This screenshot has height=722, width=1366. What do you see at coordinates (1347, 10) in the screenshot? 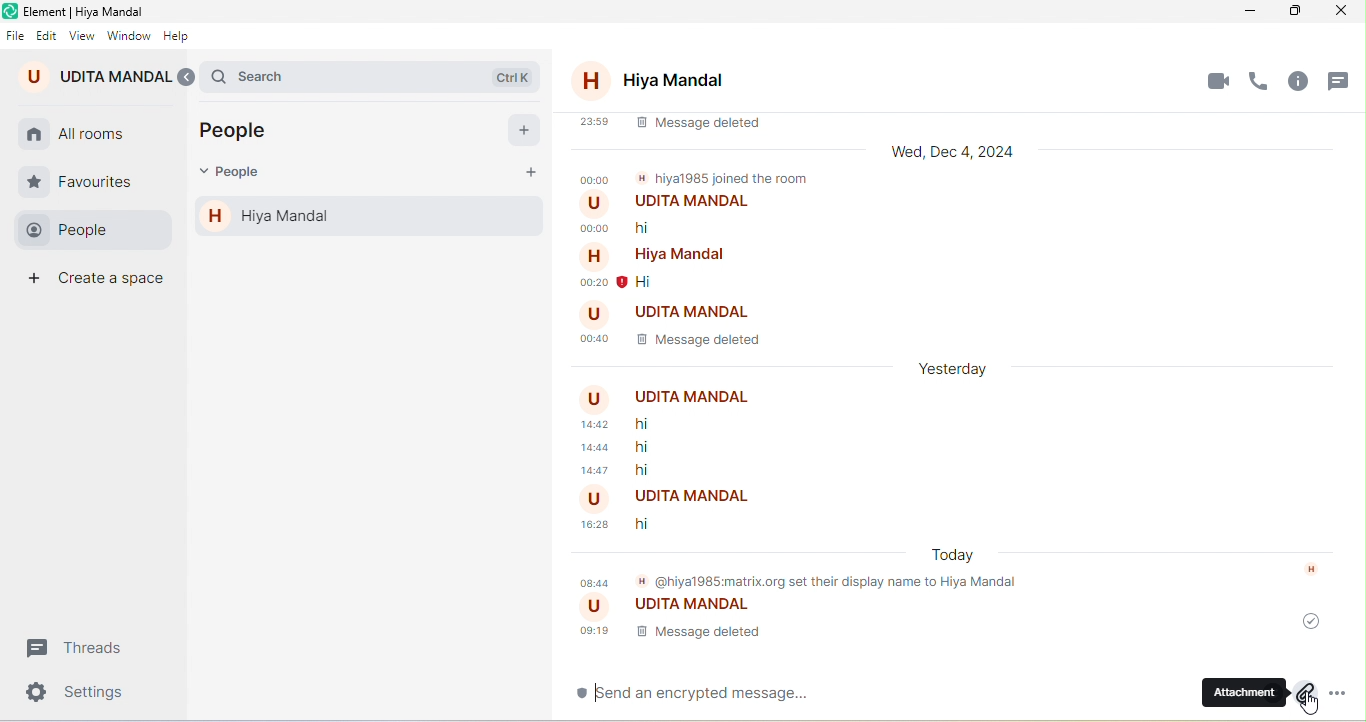
I see `close` at bounding box center [1347, 10].